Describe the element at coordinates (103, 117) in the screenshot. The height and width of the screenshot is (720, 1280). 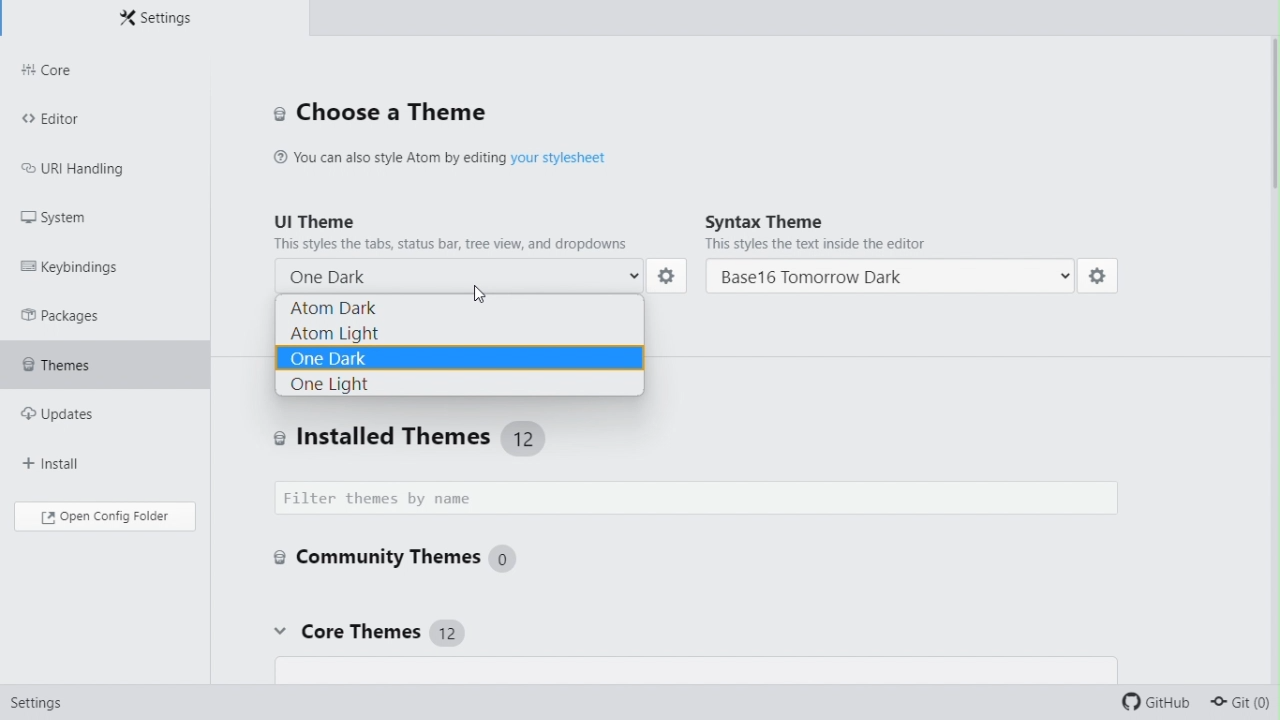
I see `Editor` at that location.